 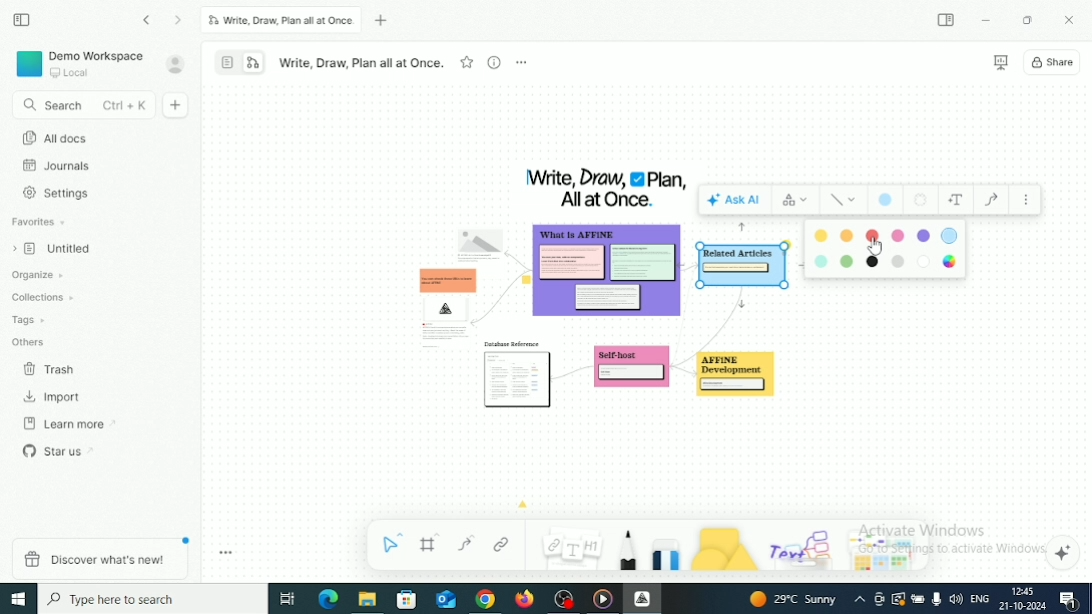 I want to click on Journals, so click(x=58, y=166).